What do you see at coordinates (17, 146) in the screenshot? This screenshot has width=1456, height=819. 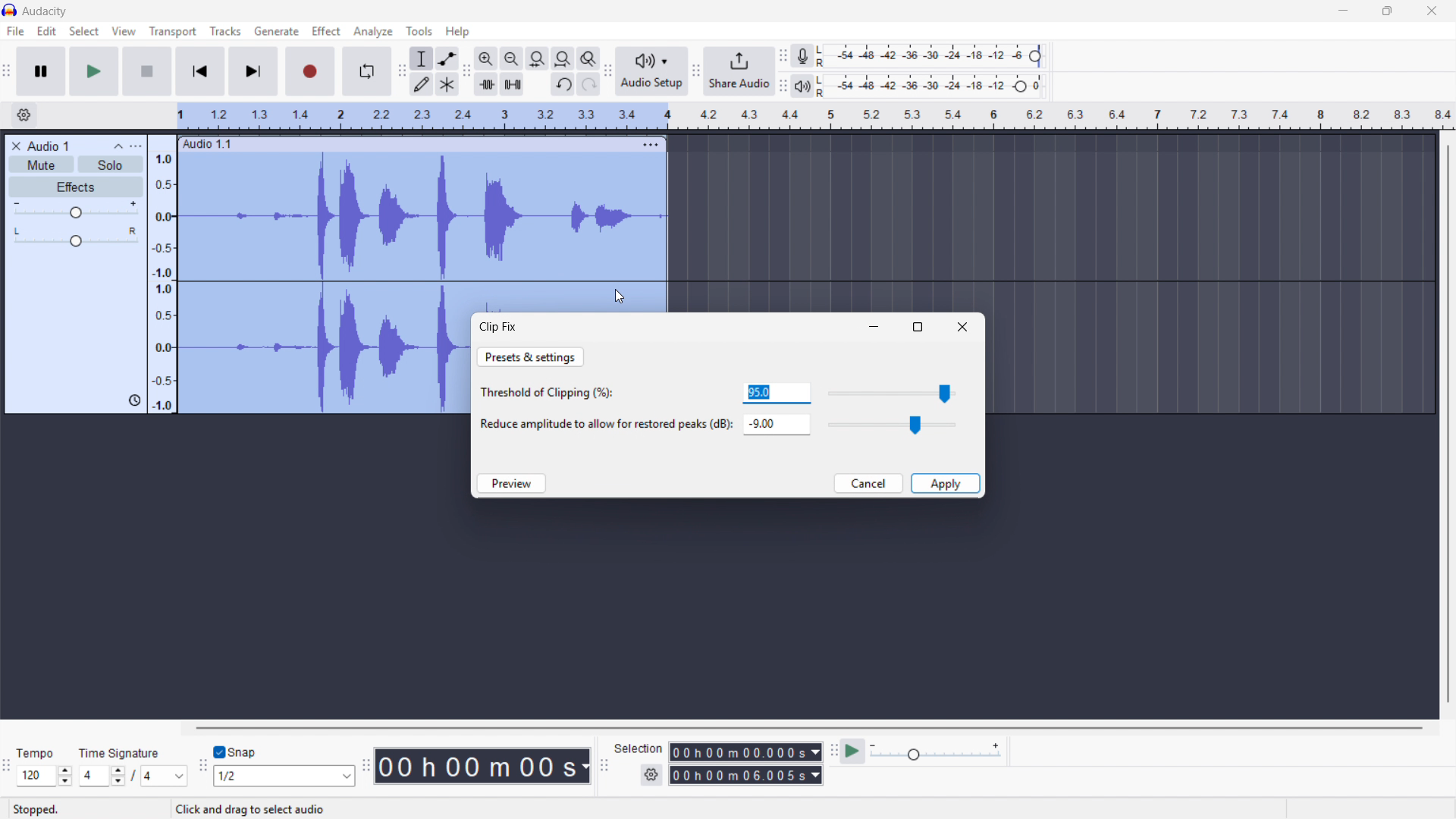 I see `Remove track ` at bounding box center [17, 146].